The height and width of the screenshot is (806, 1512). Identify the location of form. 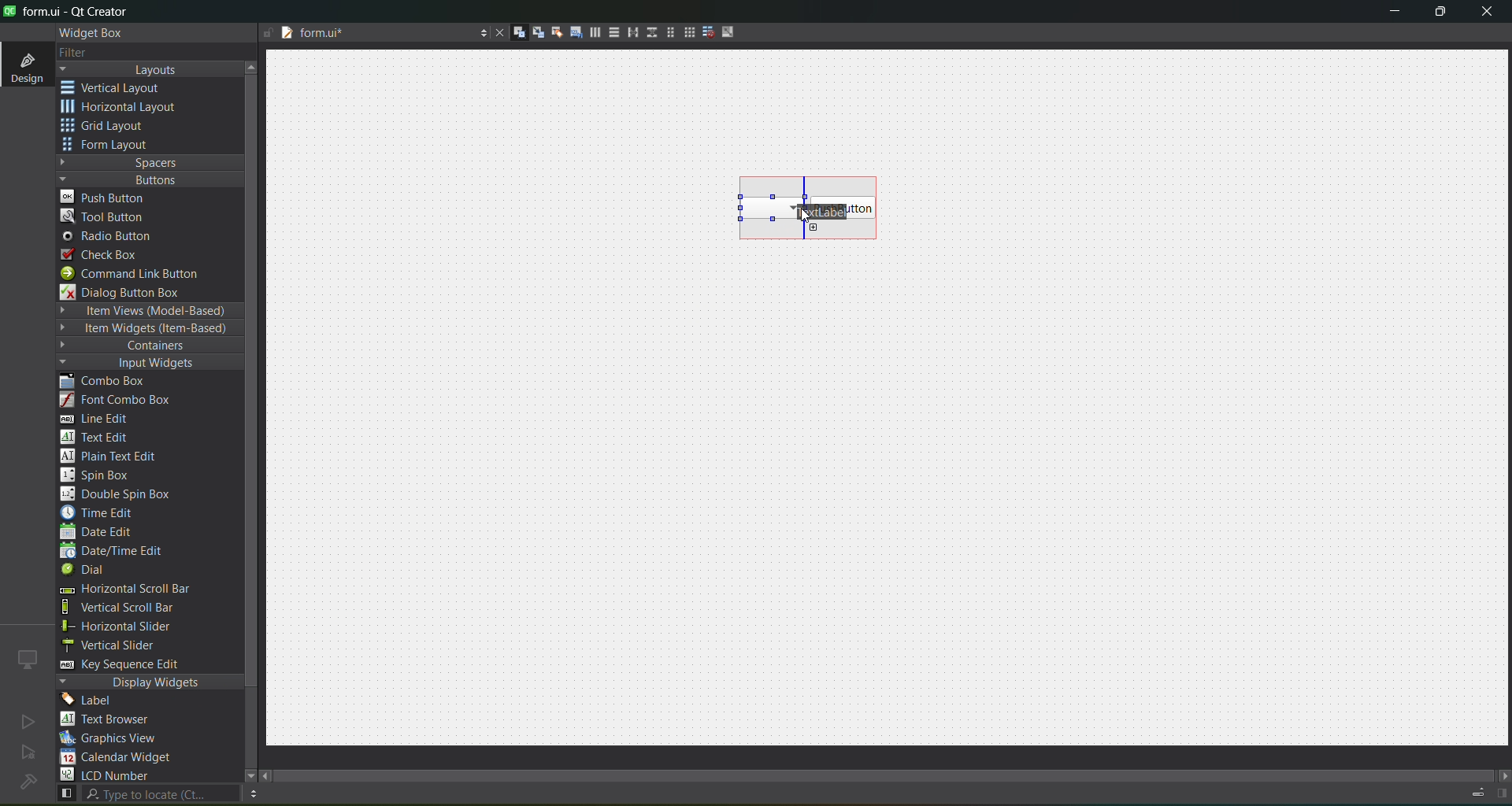
(110, 145).